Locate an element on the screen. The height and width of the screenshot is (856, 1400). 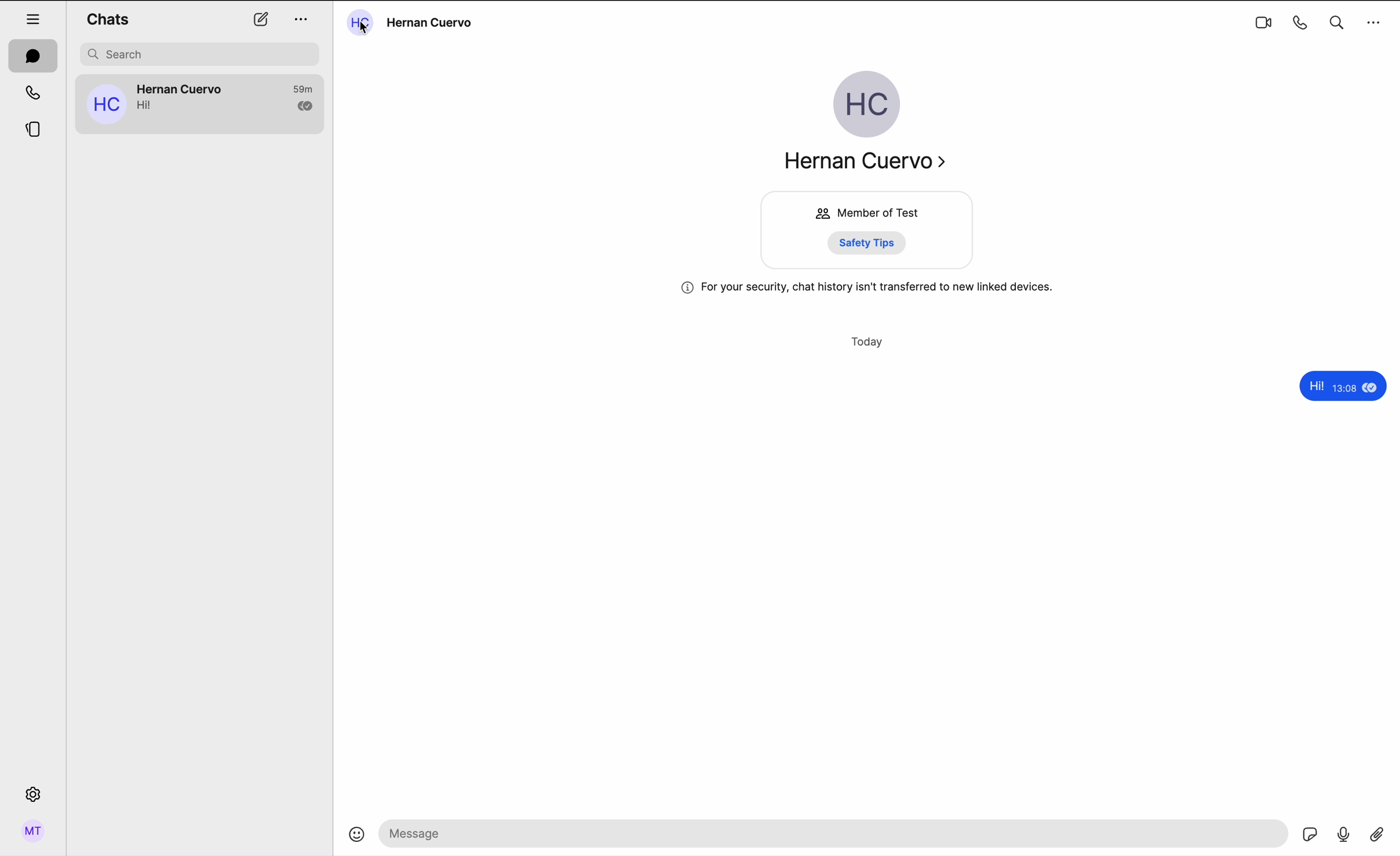
chats is located at coordinates (33, 56).